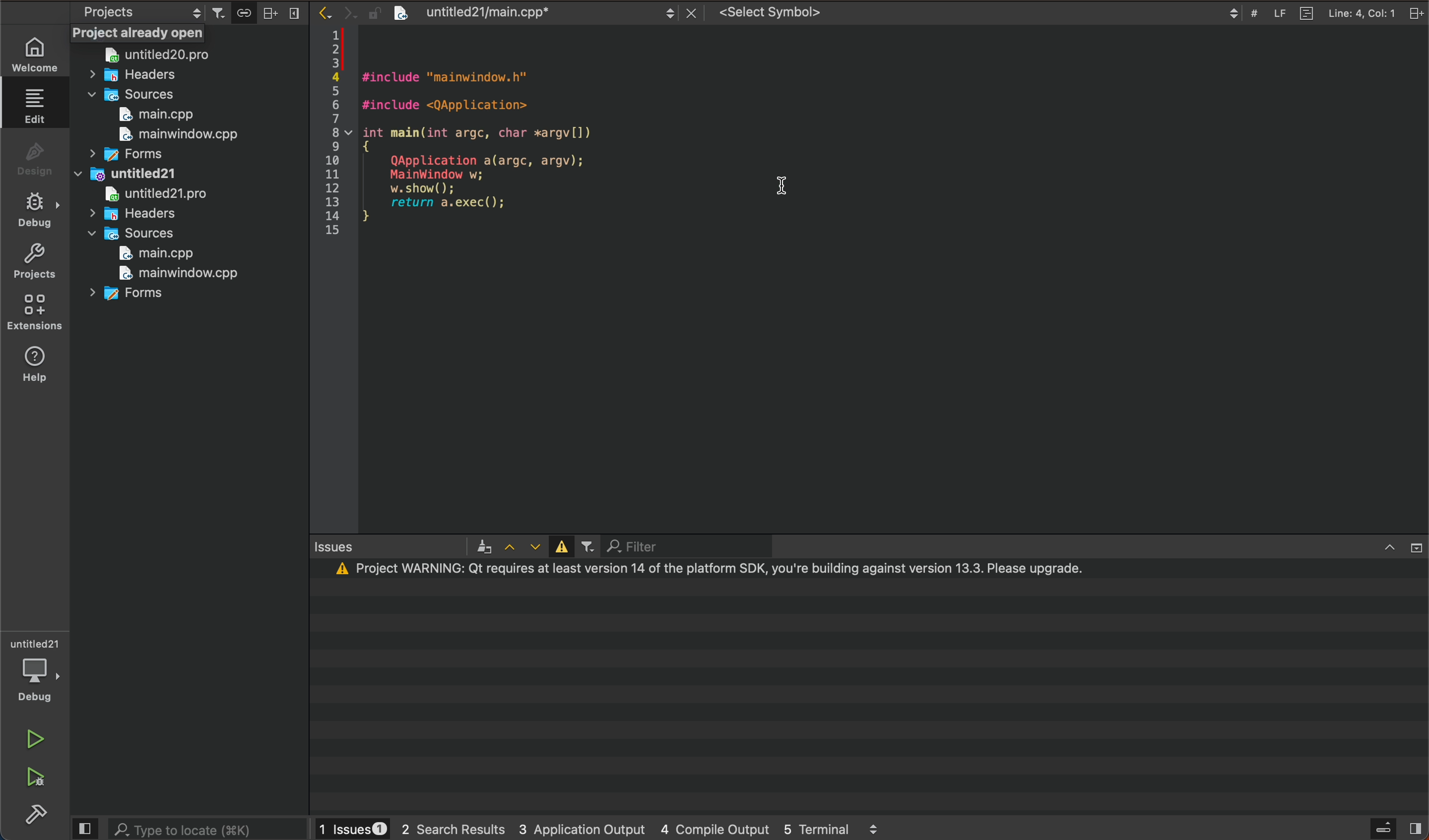 This screenshot has width=1429, height=840. What do you see at coordinates (173, 135) in the screenshot?
I see `main window` at bounding box center [173, 135].